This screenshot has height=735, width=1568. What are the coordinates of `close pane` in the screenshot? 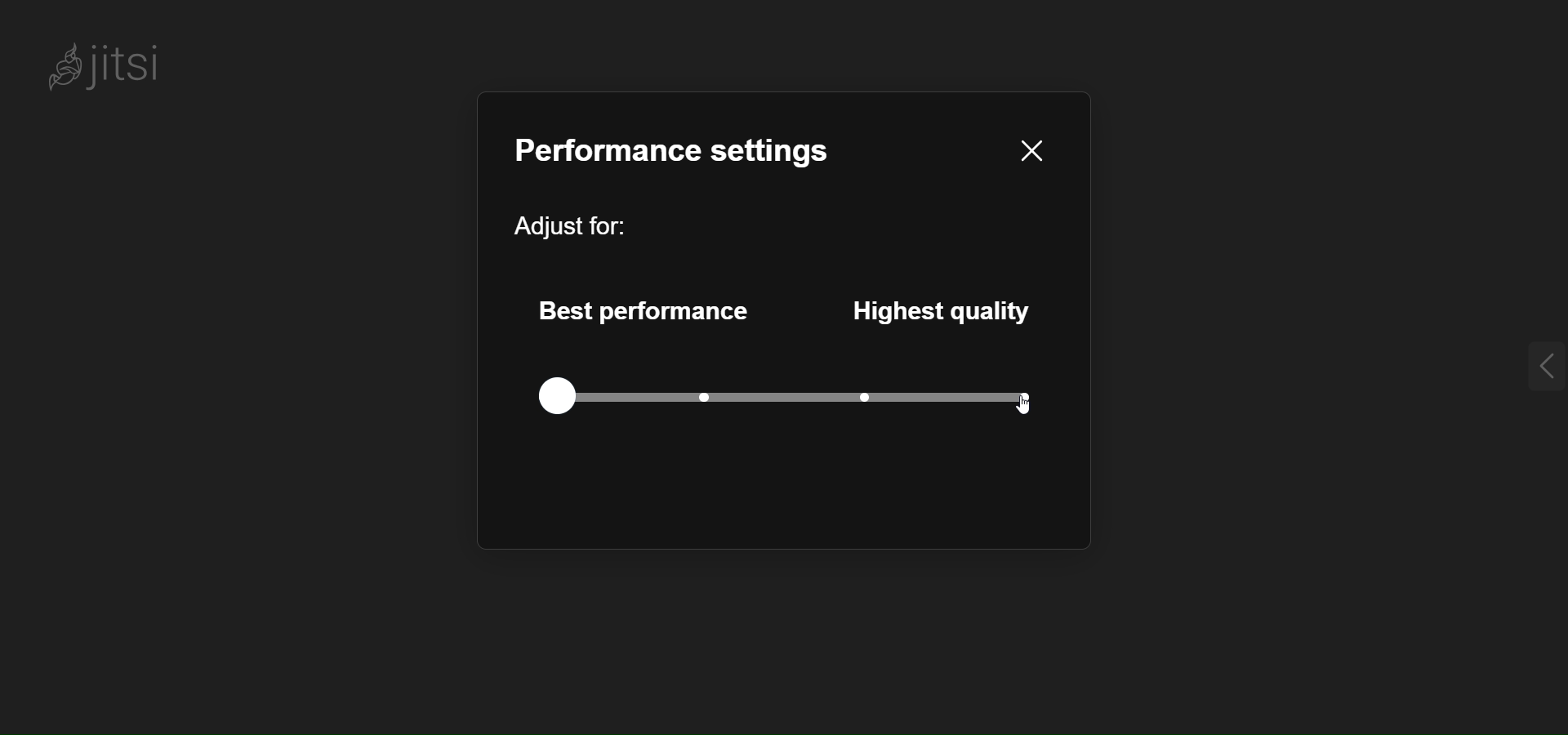 It's located at (1037, 148).